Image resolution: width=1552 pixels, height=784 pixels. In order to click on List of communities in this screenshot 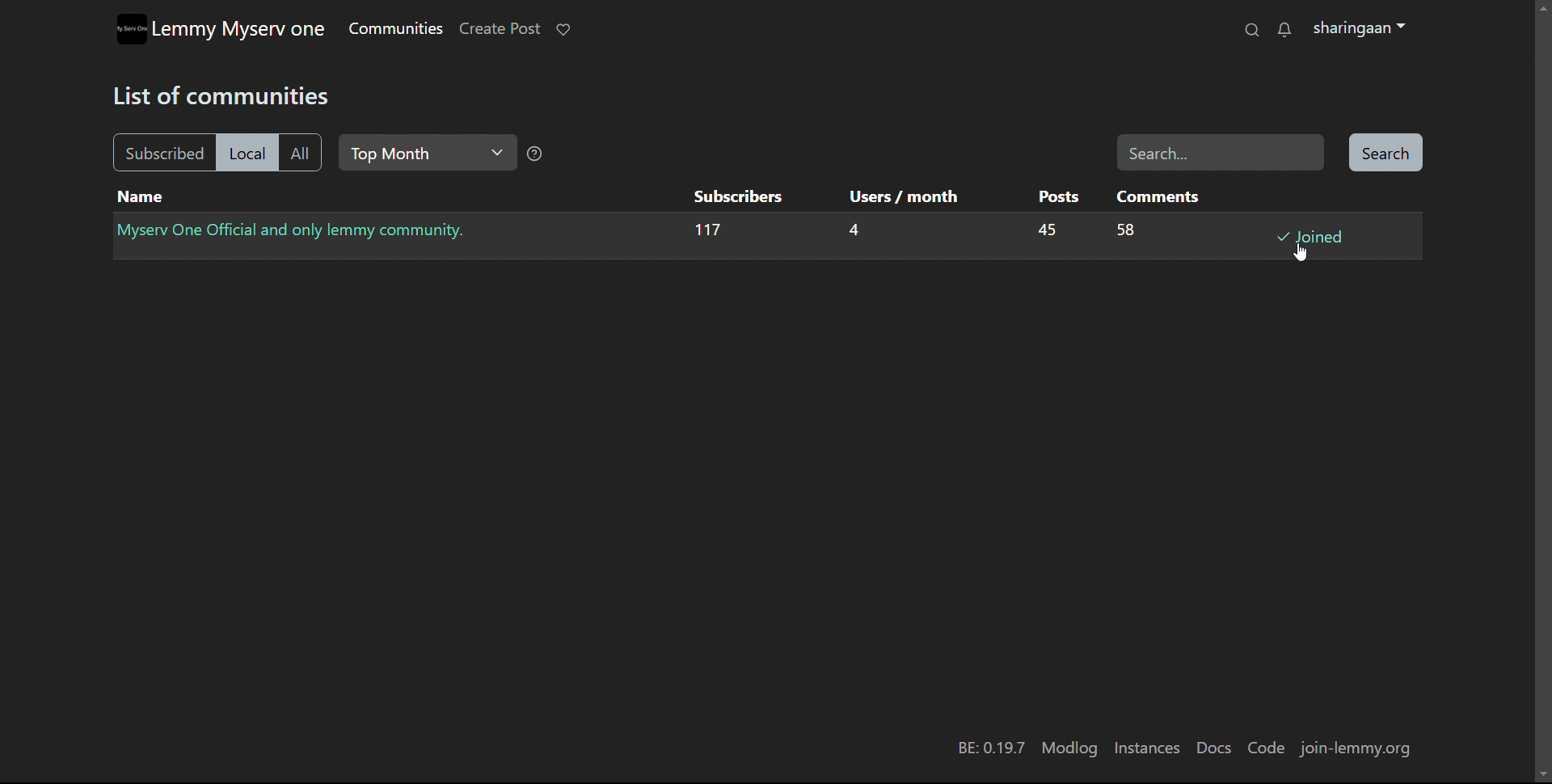, I will do `click(227, 94)`.